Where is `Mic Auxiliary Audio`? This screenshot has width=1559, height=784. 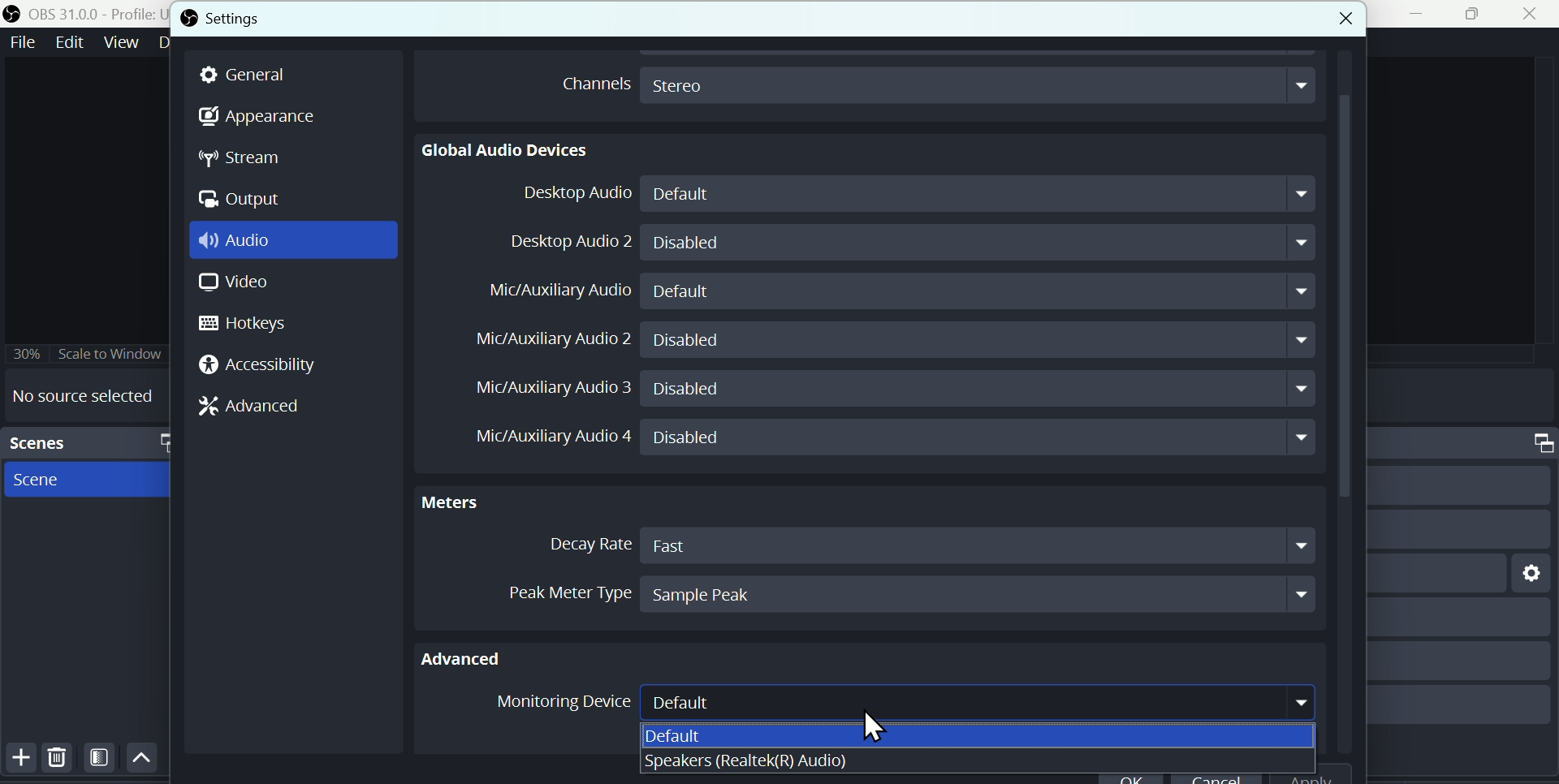
Mic Auxiliary Audio is located at coordinates (562, 291).